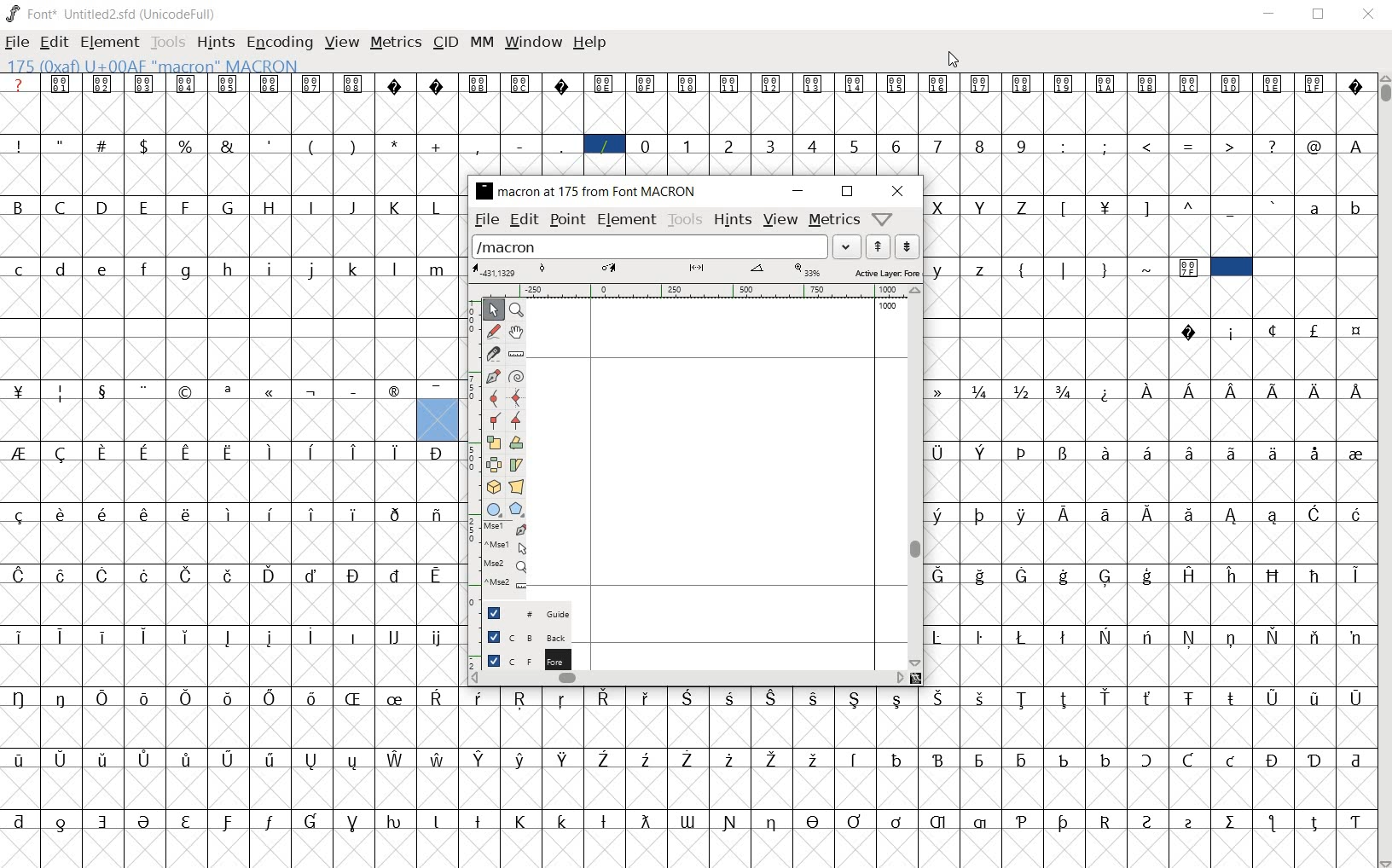 The width and height of the screenshot is (1392, 868). I want to click on Symbol, so click(1354, 576).